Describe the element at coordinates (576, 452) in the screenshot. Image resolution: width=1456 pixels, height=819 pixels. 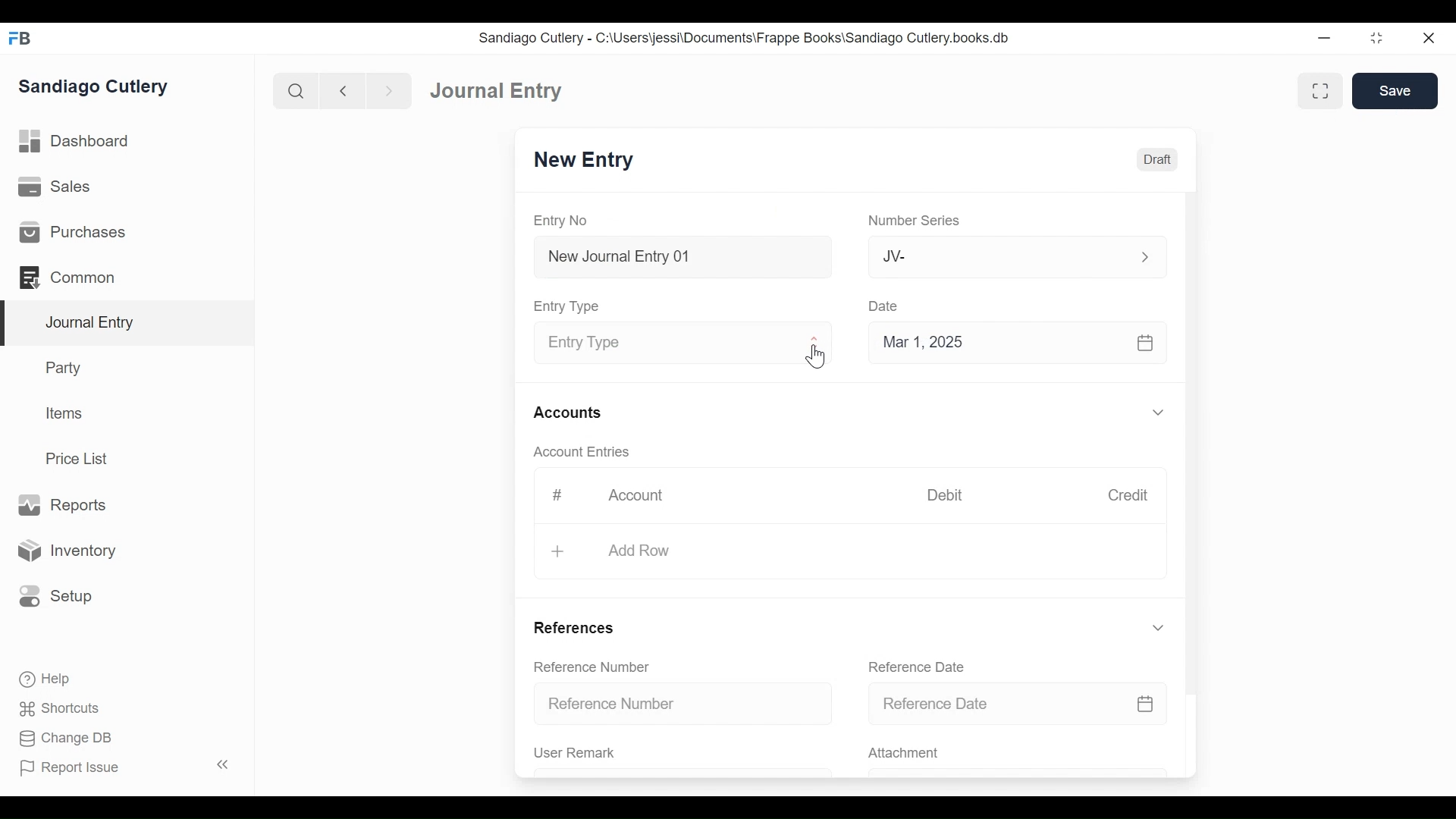
I see `Account Entries` at that location.